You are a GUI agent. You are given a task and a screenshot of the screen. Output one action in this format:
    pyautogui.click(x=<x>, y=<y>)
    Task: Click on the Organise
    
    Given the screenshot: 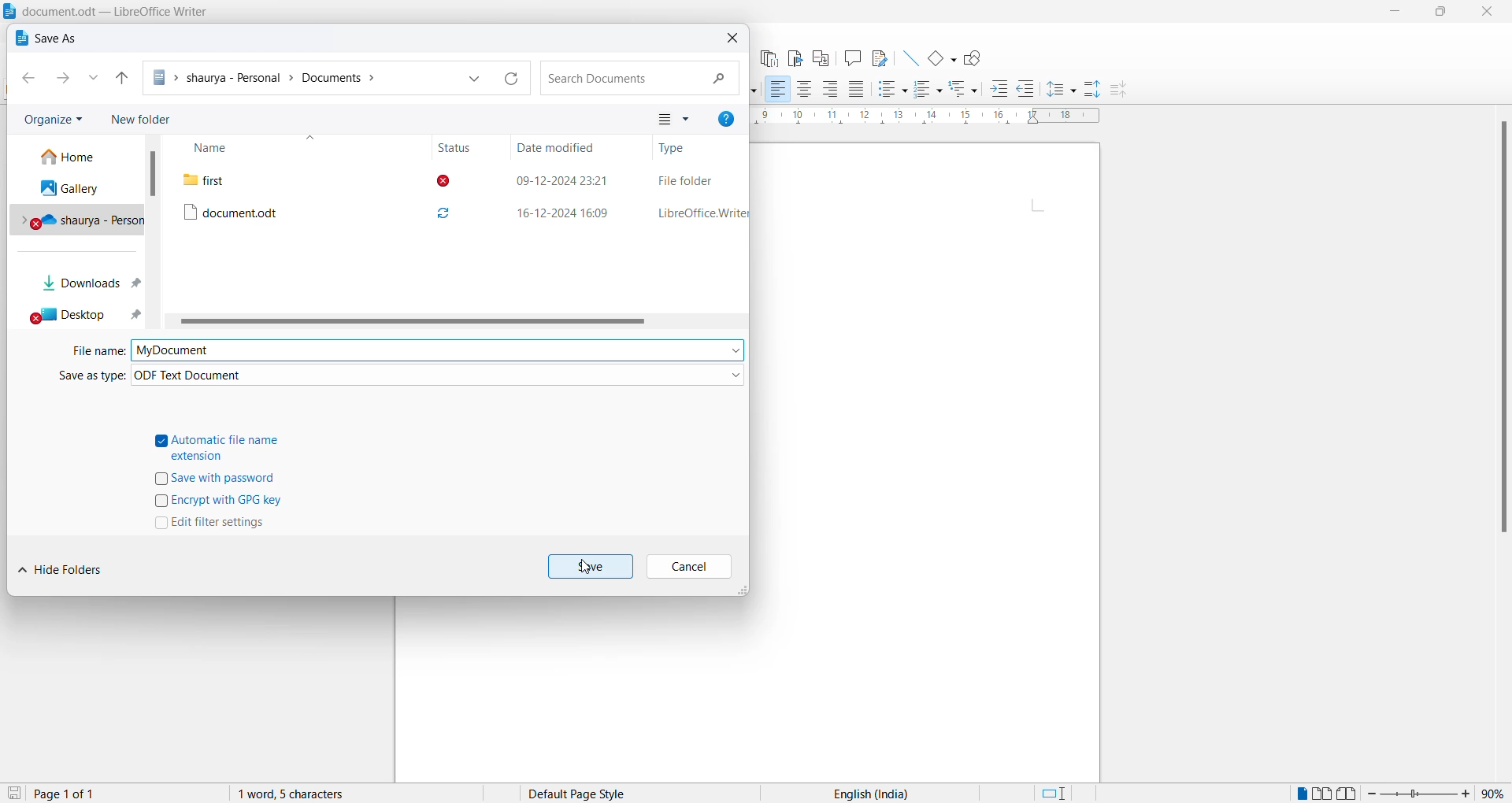 What is the action you would take?
    pyautogui.click(x=51, y=120)
    